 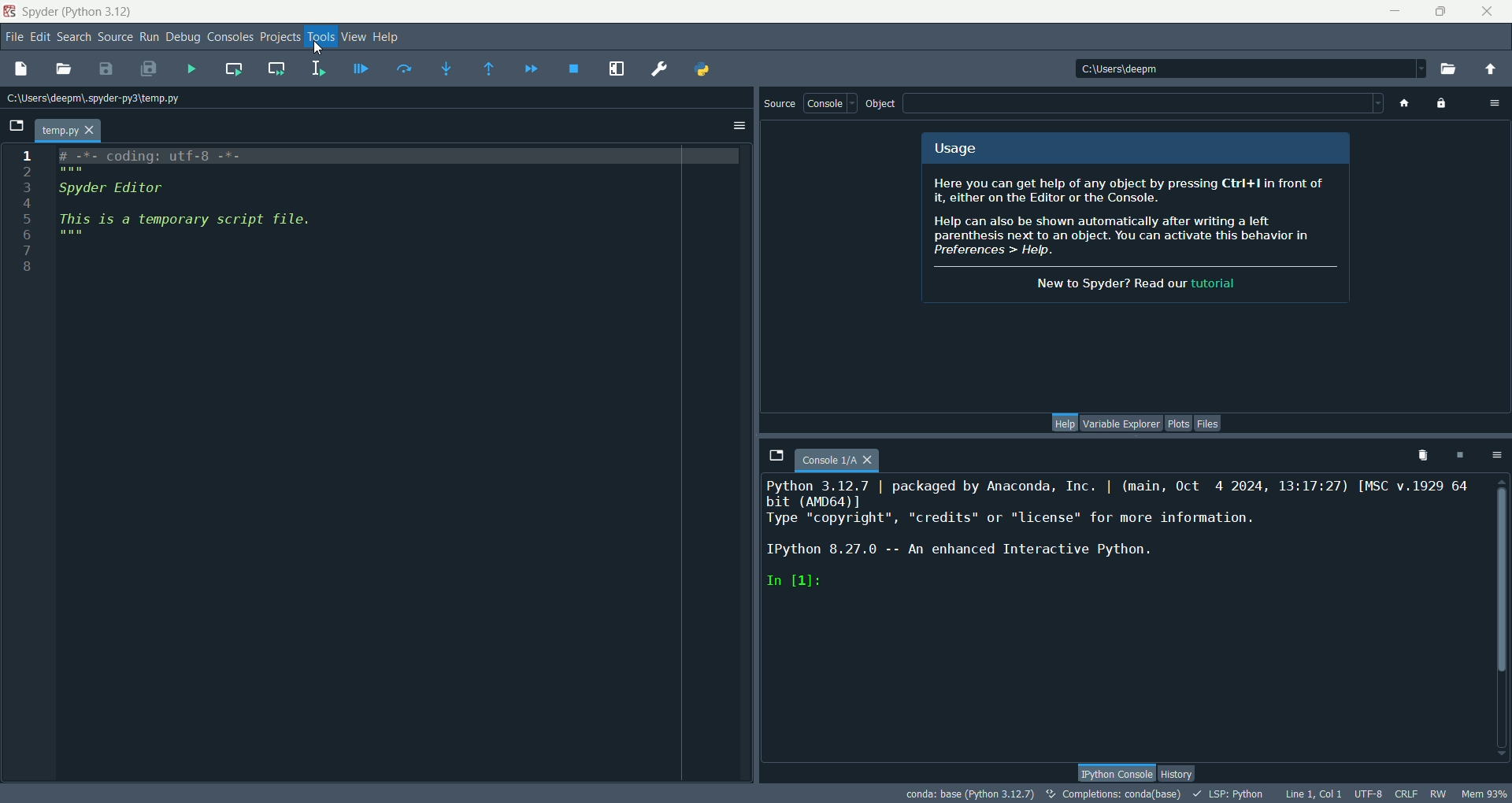 What do you see at coordinates (28, 216) in the screenshot?
I see `numbers` at bounding box center [28, 216].